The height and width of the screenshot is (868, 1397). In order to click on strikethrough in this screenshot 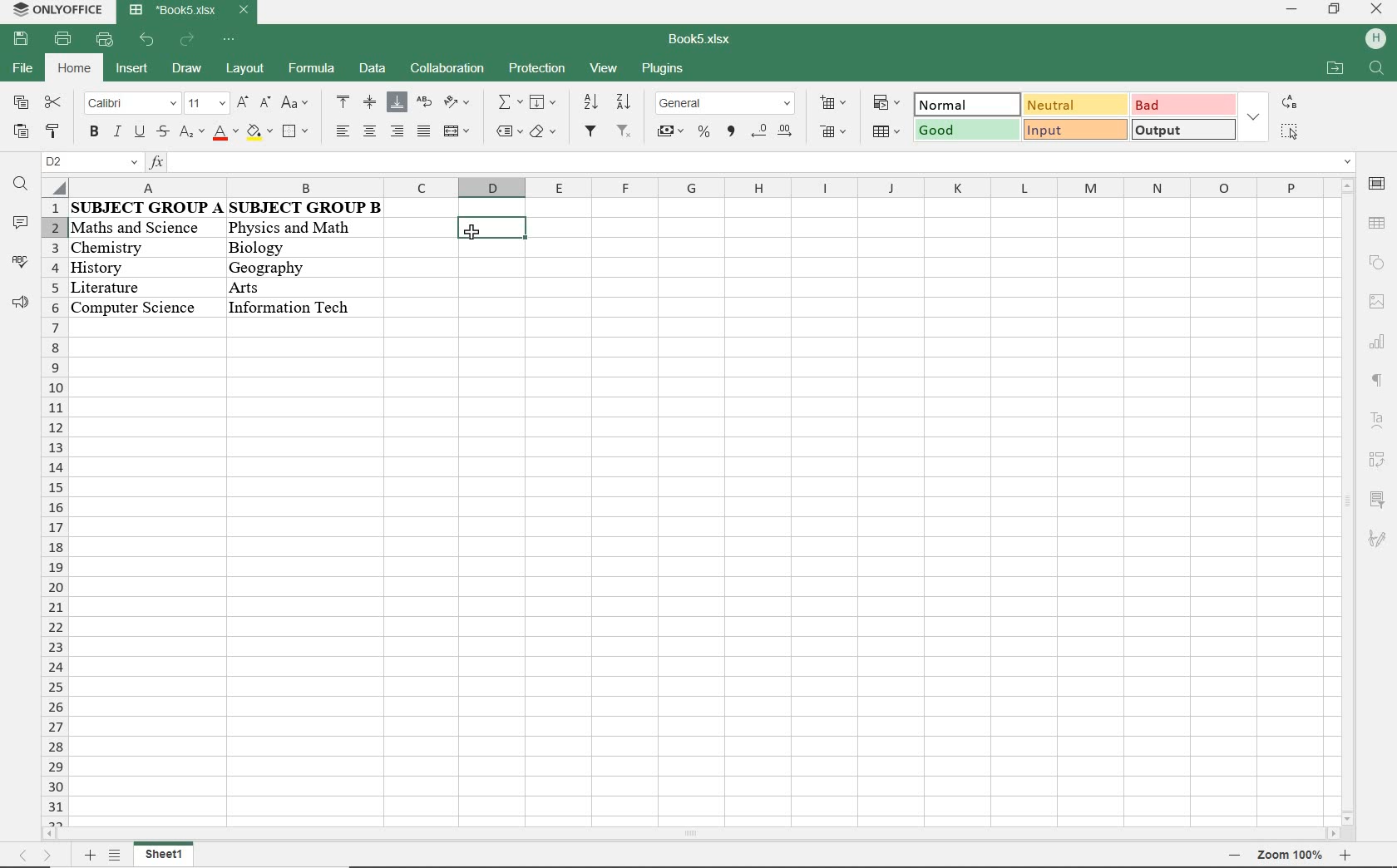, I will do `click(161, 132)`.